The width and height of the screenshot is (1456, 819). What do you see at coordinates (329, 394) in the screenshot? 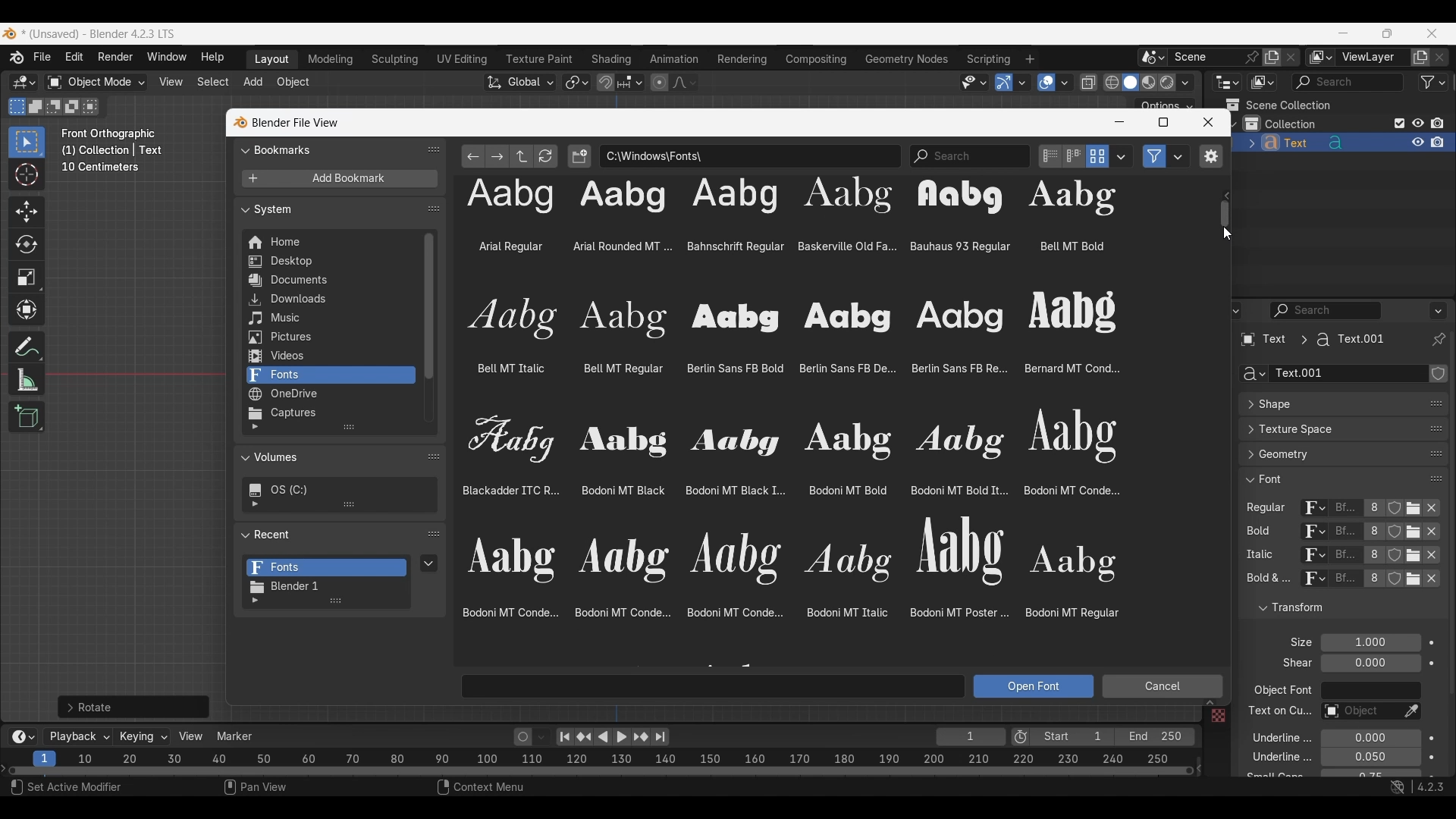
I see `OneDrive folder` at bounding box center [329, 394].